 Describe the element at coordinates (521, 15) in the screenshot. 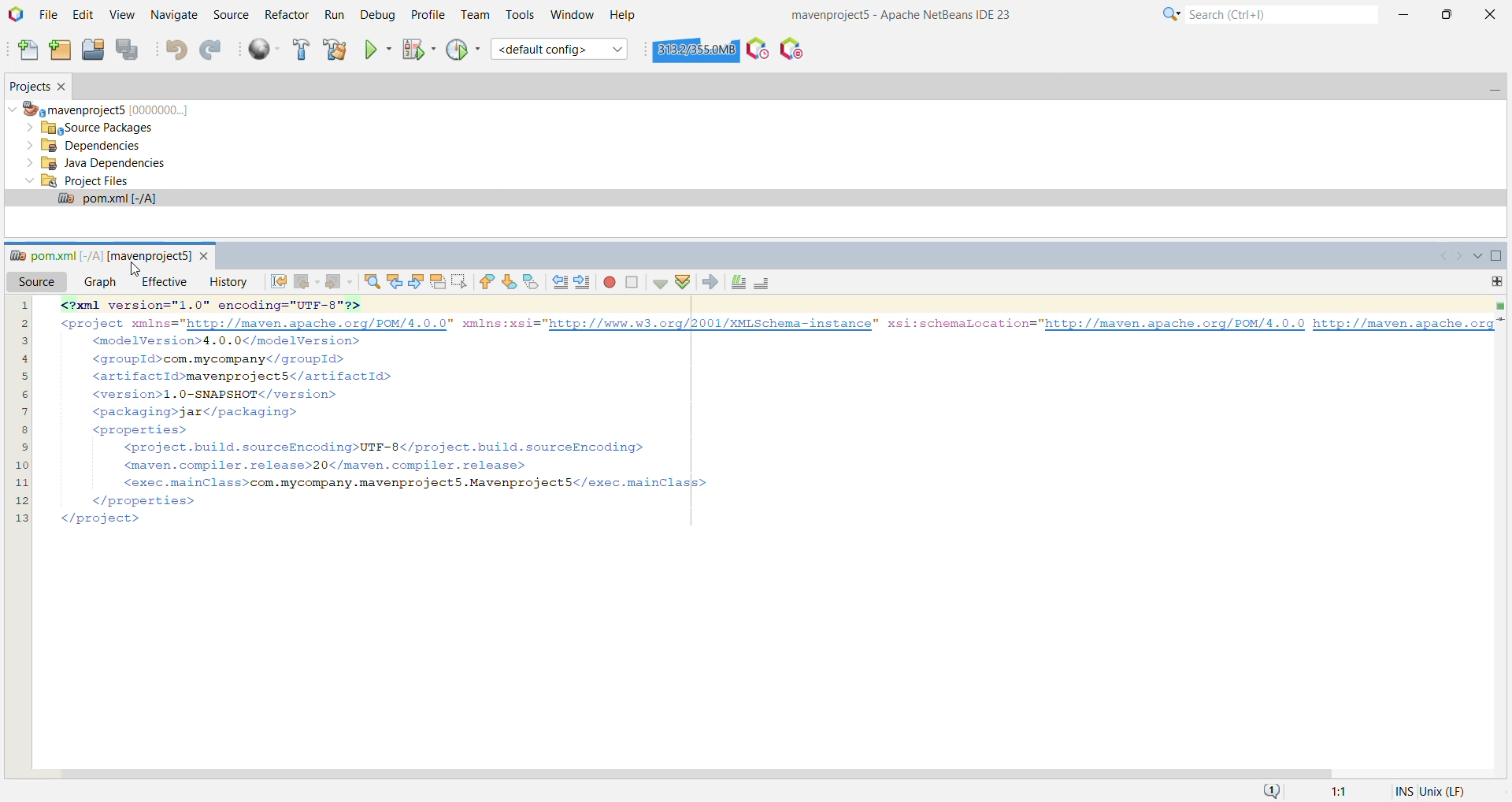

I see `Tools` at that location.